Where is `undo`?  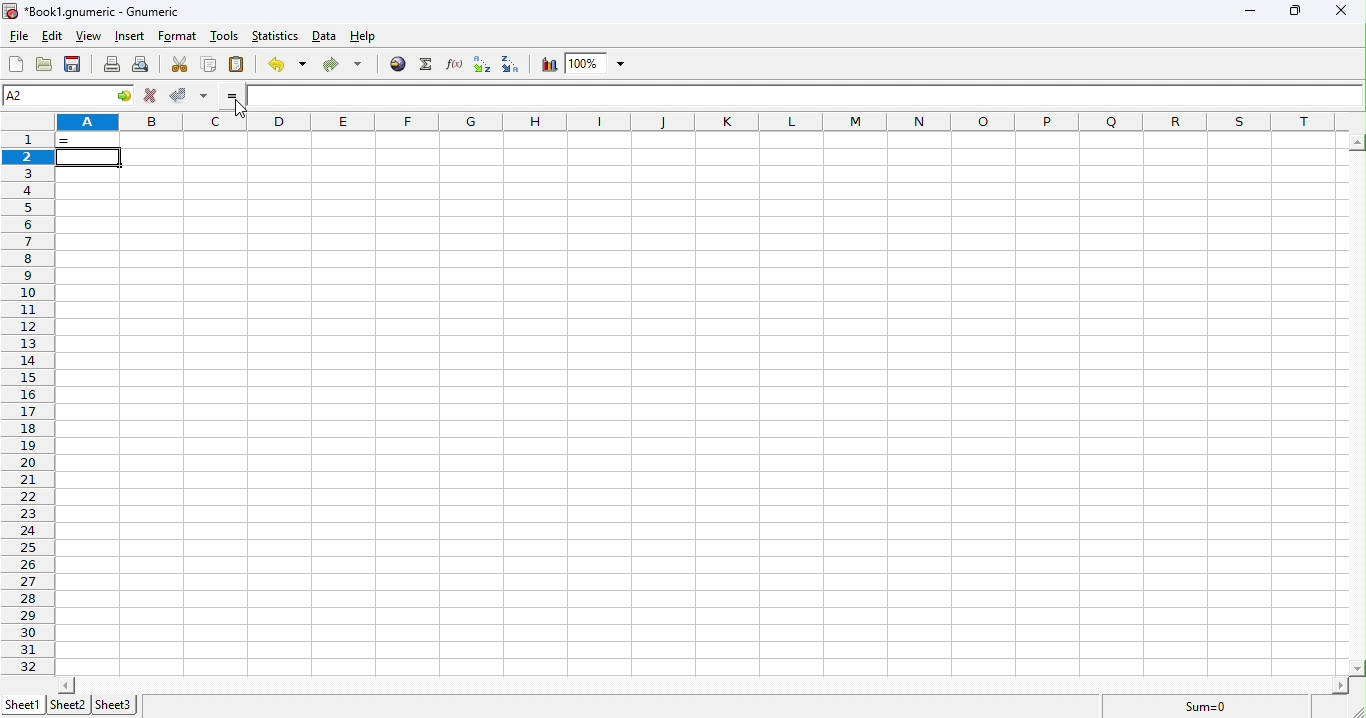
undo is located at coordinates (286, 64).